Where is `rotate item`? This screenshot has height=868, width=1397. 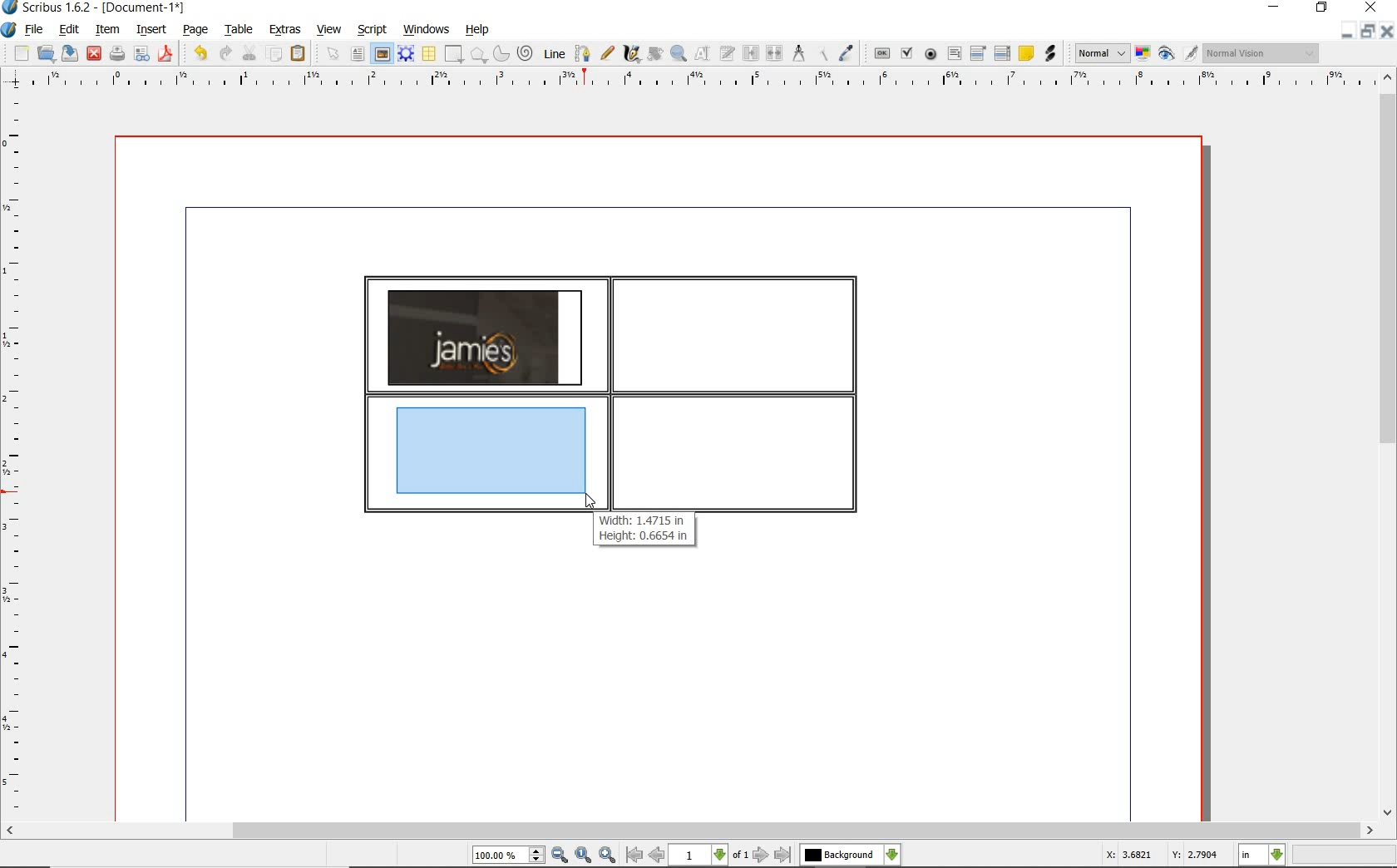 rotate item is located at coordinates (654, 55).